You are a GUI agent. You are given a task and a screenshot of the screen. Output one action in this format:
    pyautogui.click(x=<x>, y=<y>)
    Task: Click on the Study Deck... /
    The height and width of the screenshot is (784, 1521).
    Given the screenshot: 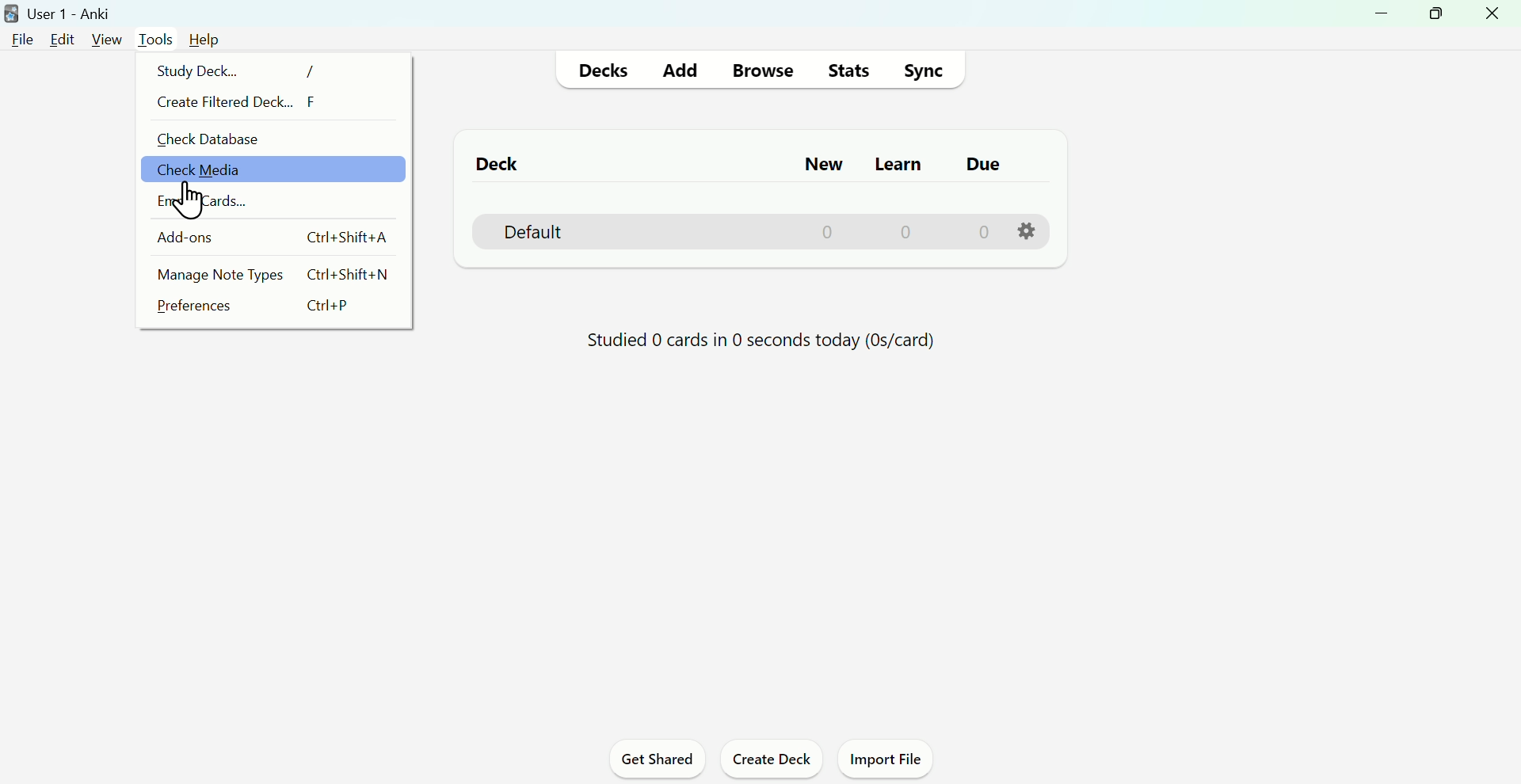 What is the action you would take?
    pyautogui.click(x=264, y=68)
    